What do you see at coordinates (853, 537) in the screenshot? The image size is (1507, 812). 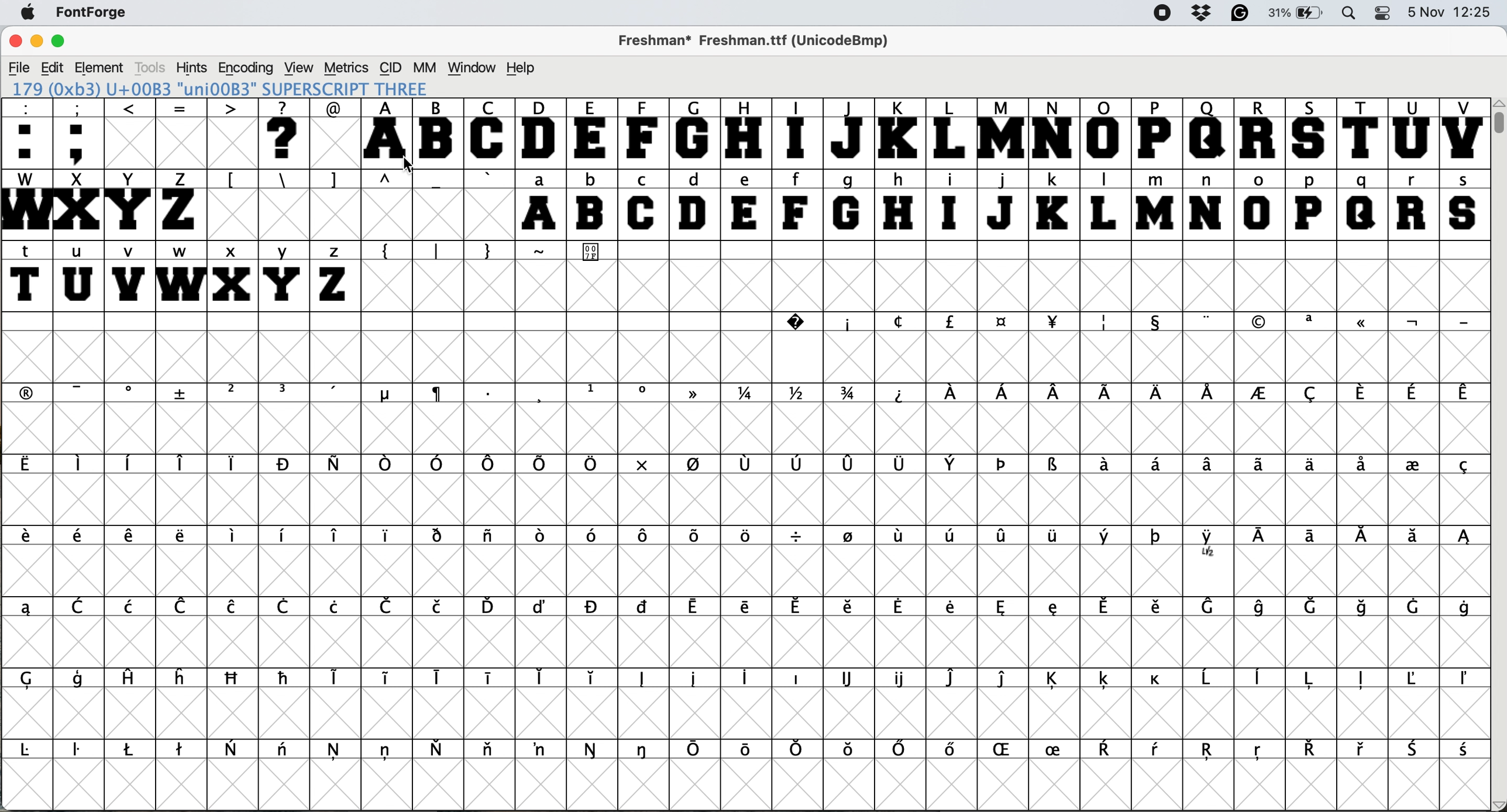 I see `symbol` at bounding box center [853, 537].